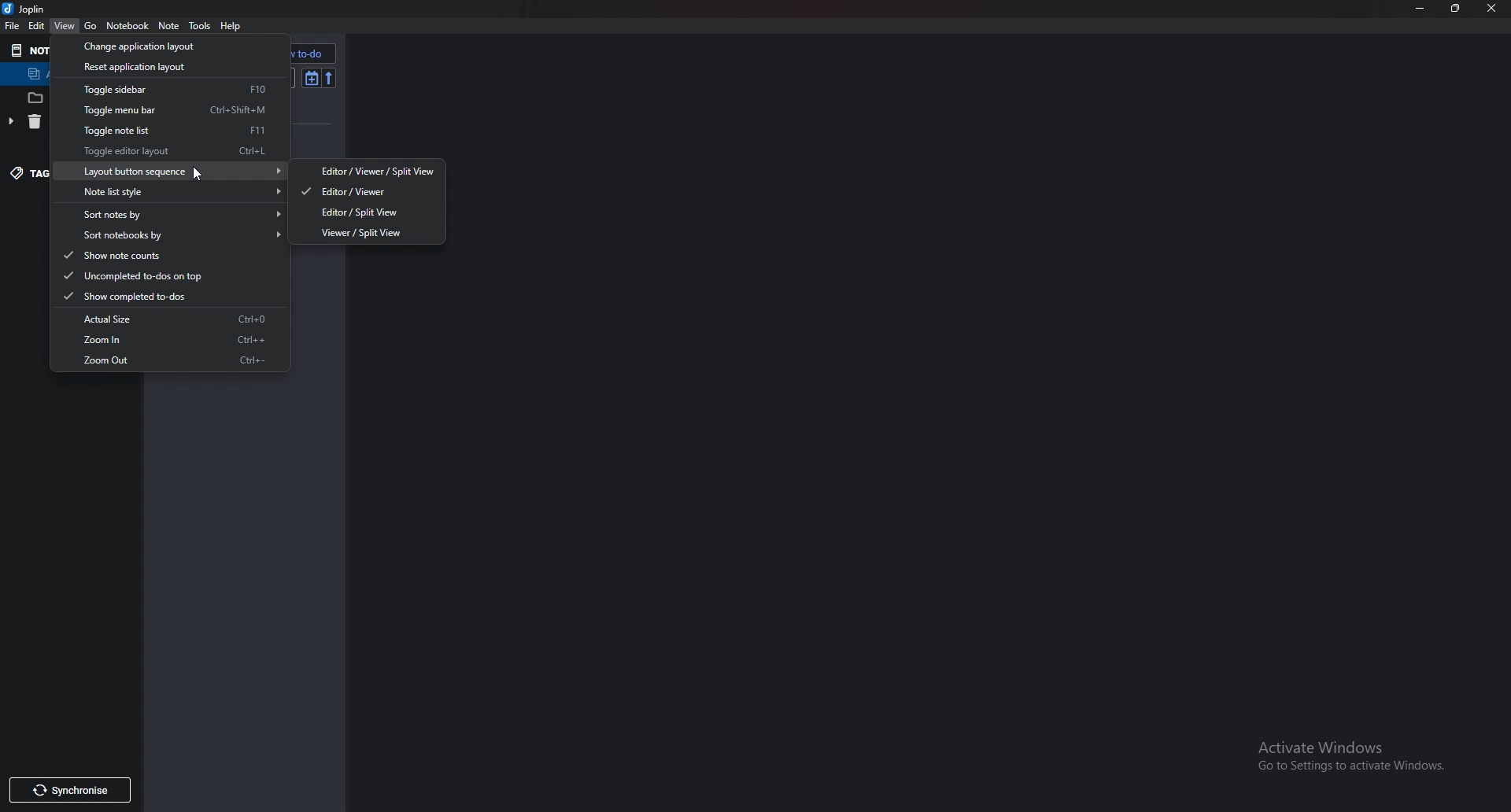 The image size is (1511, 812). I want to click on editor/ viewer/ split view, so click(370, 169).